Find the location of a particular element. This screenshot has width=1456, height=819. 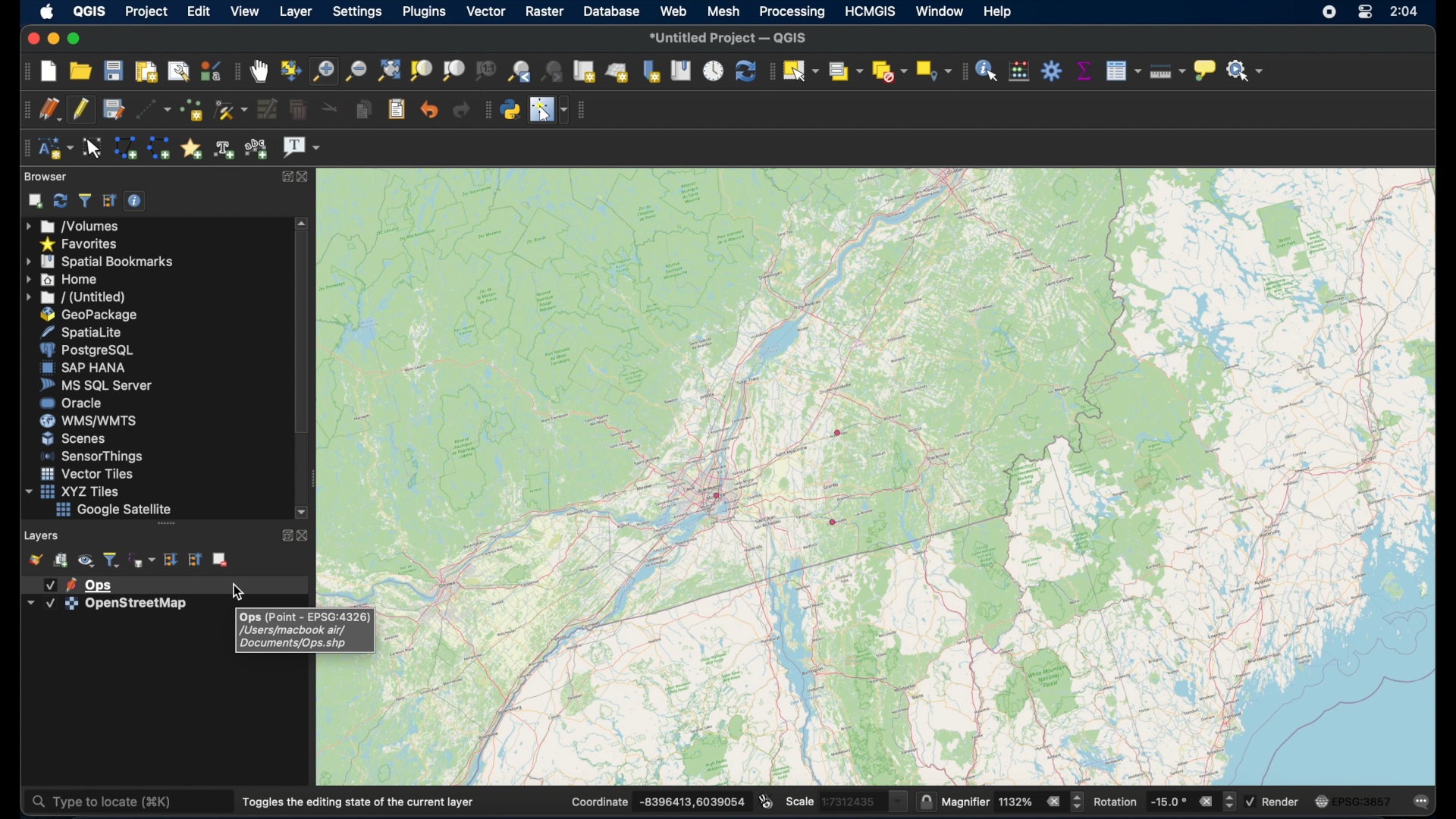

spatiallite is located at coordinates (78, 331).